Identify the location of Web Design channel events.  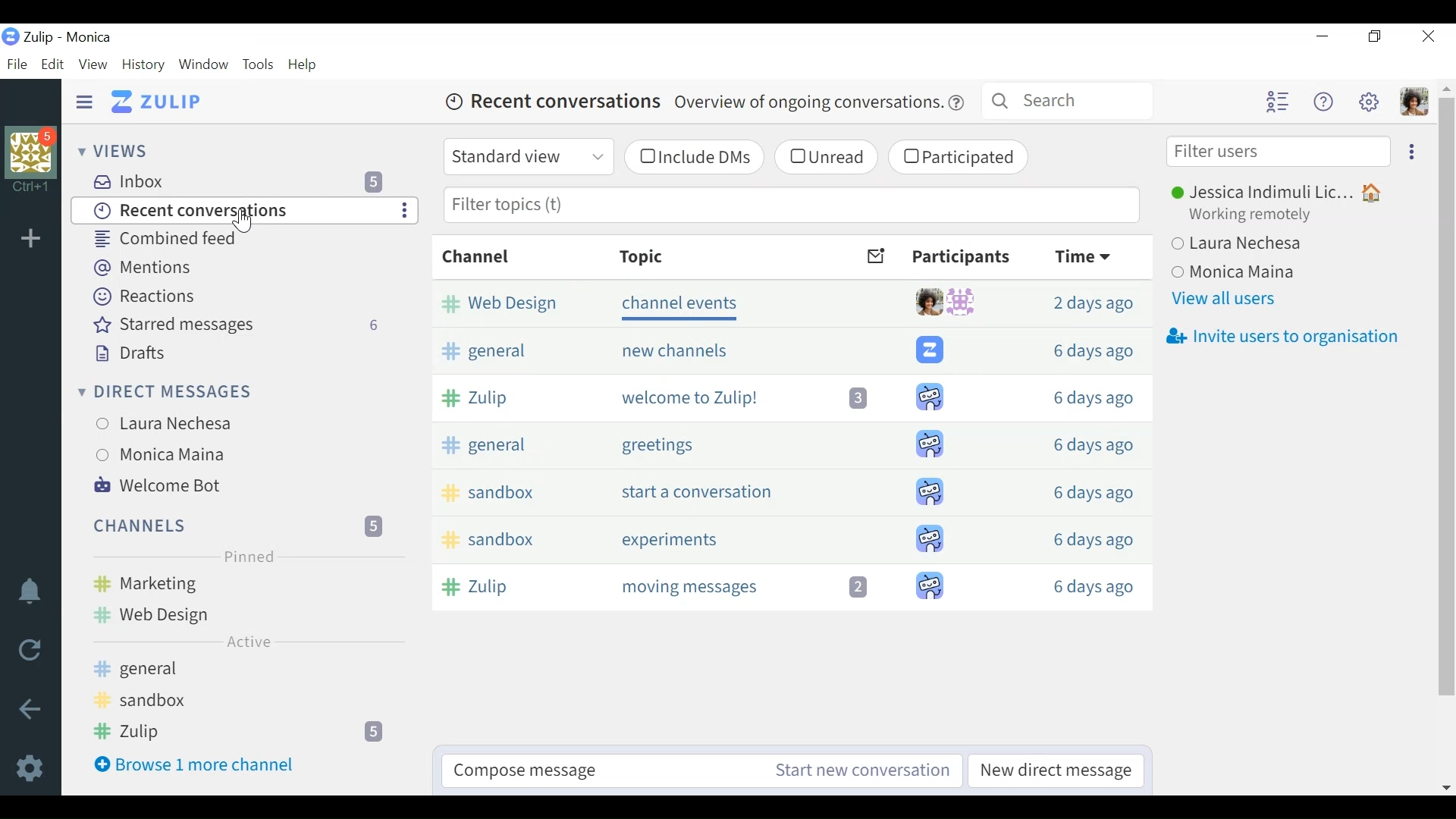
(789, 301).